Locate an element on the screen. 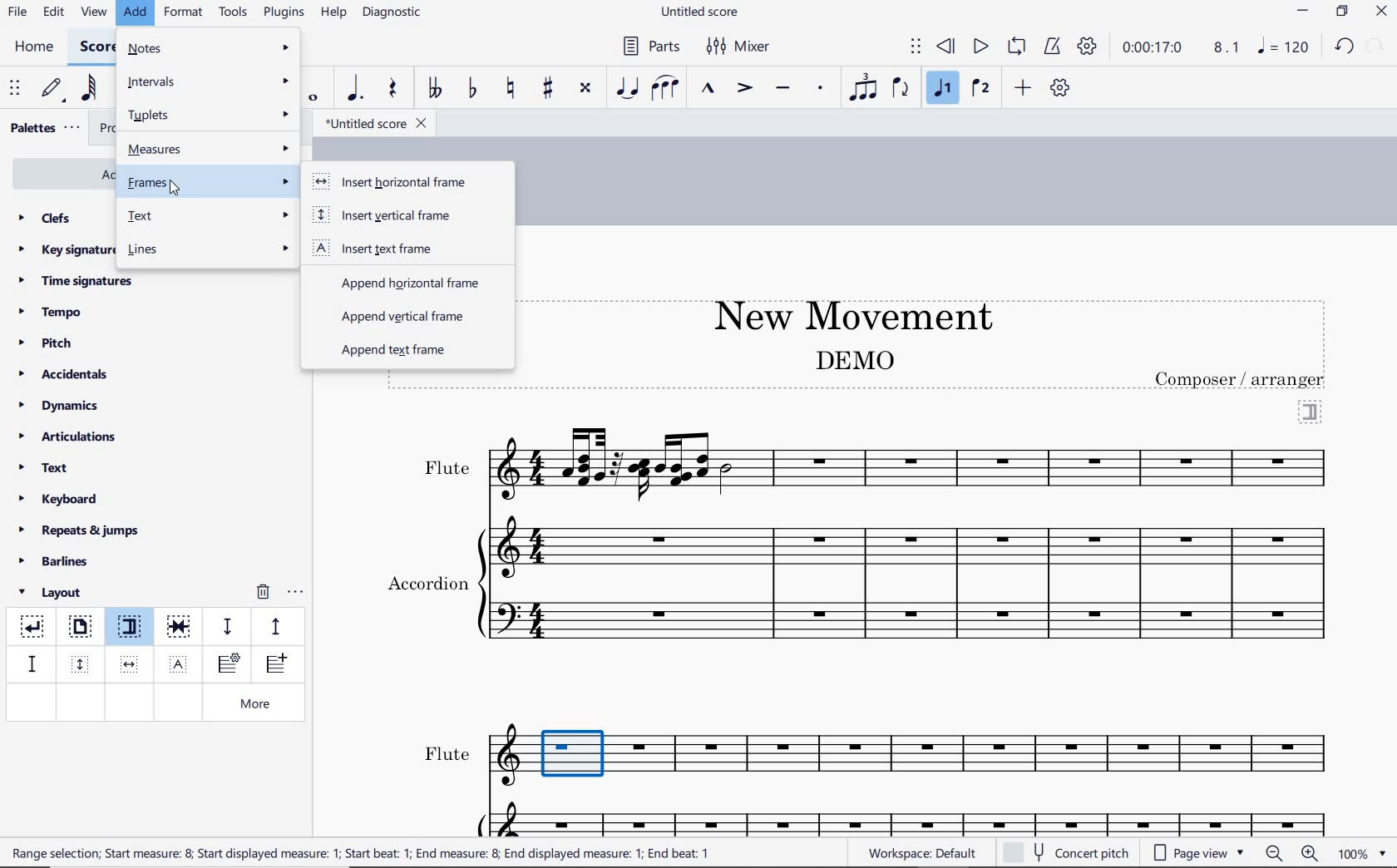 The height and width of the screenshot is (868, 1397). tempo is located at coordinates (55, 311).